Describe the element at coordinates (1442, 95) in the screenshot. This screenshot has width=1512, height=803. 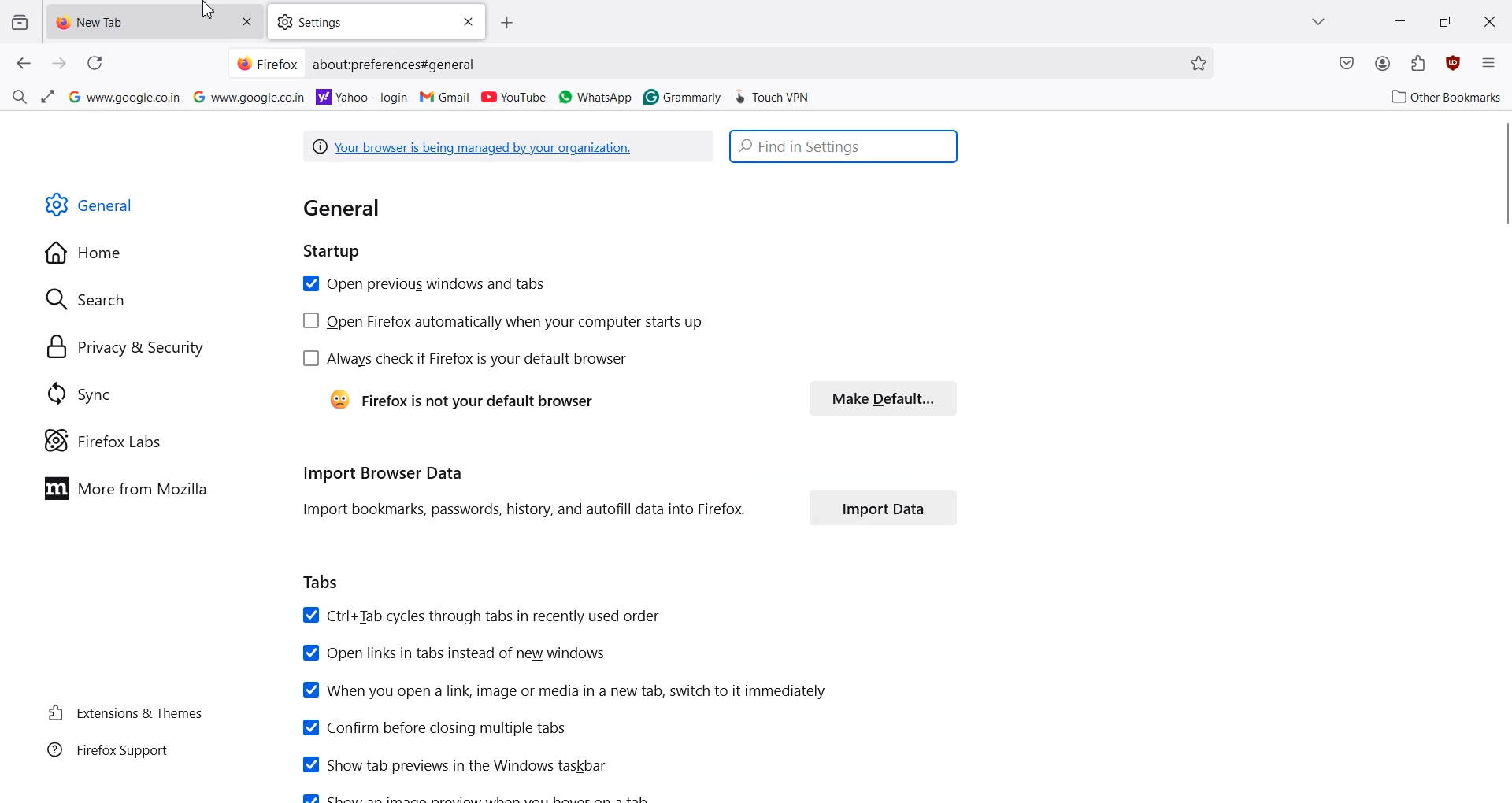
I see `Other Bookmarks` at that location.